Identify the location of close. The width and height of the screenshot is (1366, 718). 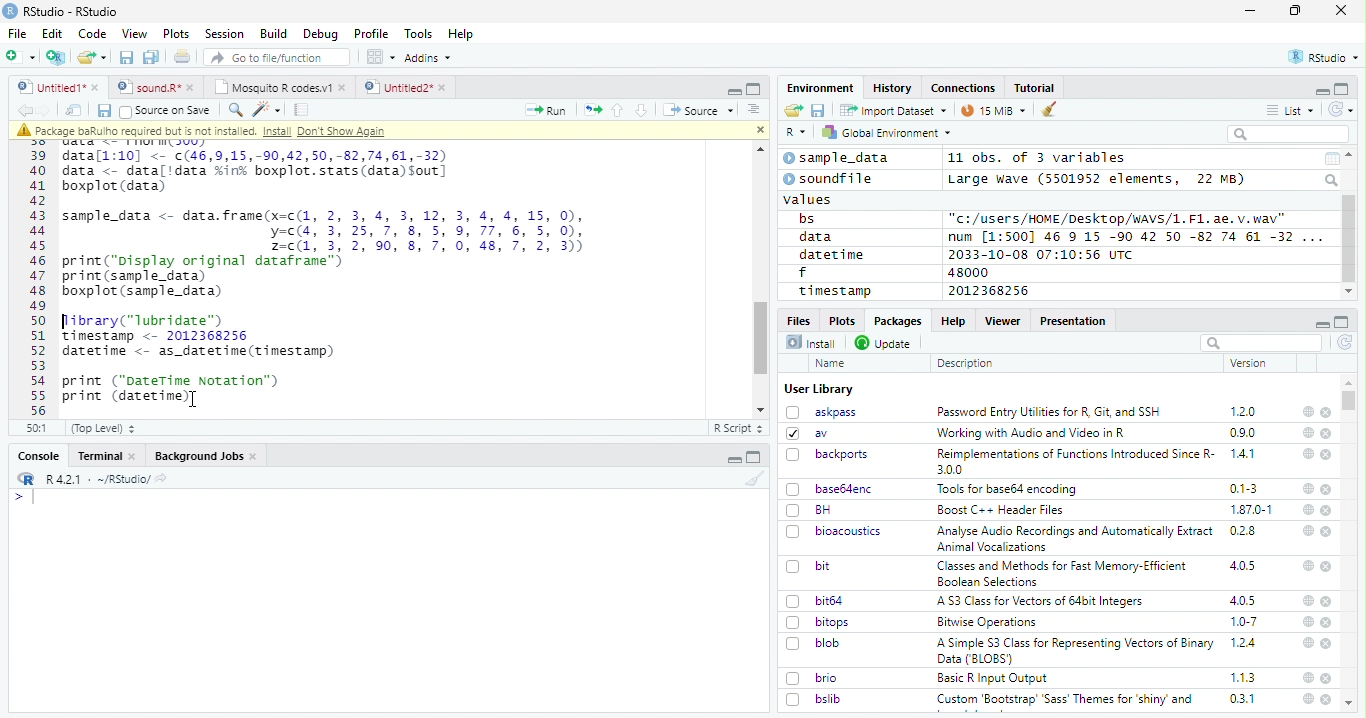
(1326, 489).